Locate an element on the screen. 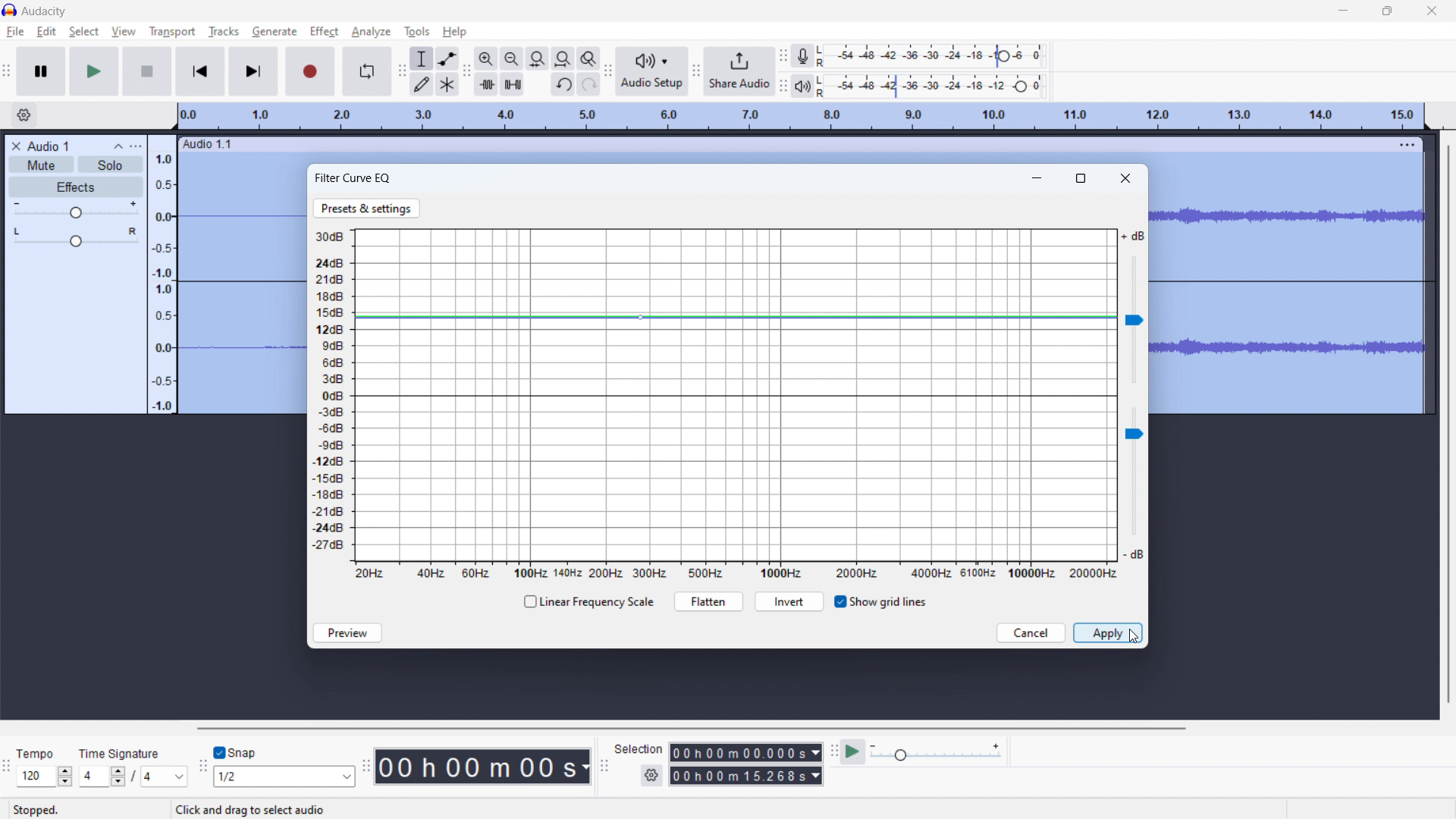 This screenshot has height=819, width=1456. enable looping is located at coordinates (367, 71).